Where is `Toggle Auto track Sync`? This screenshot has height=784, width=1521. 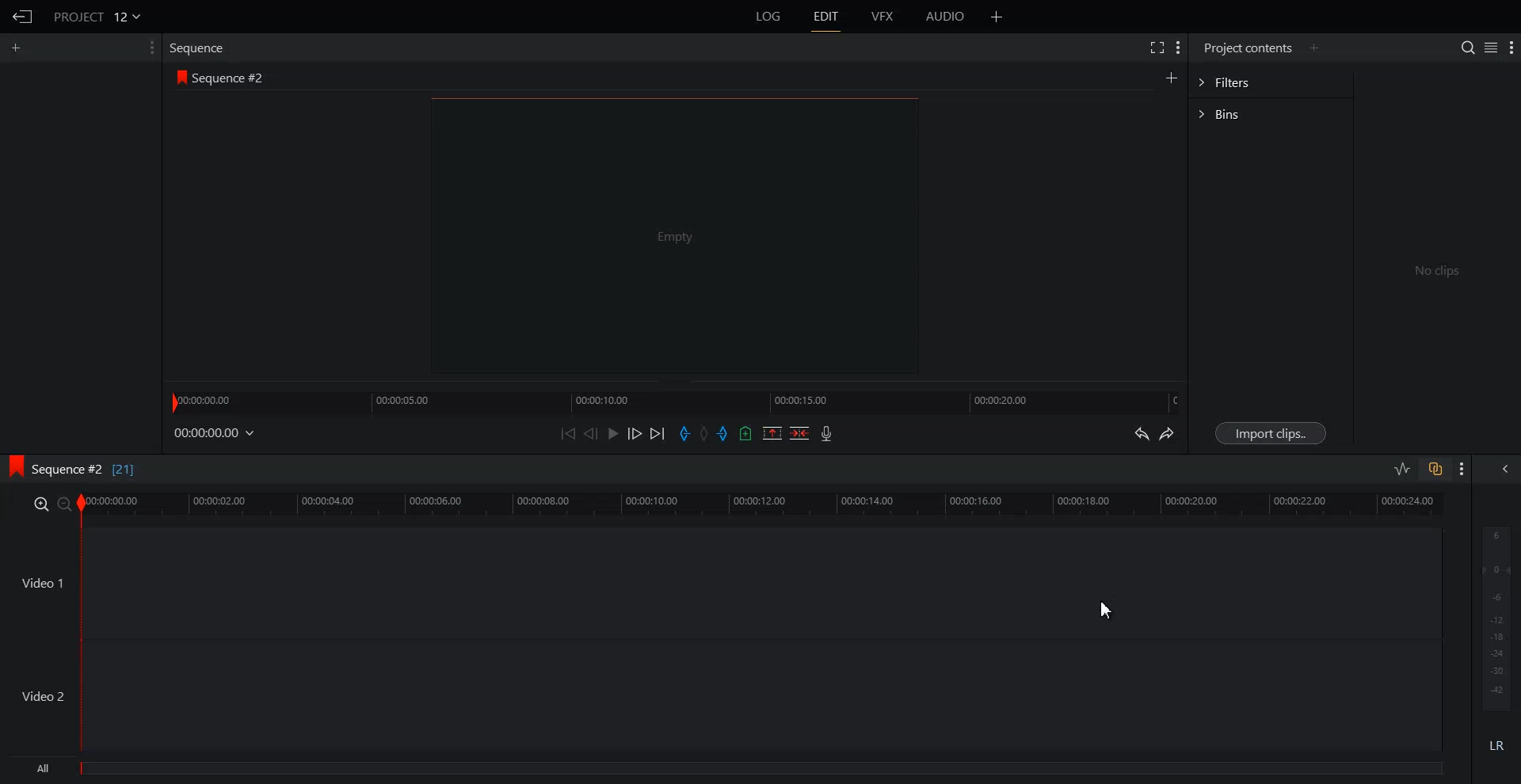
Toggle Auto track Sync is located at coordinates (1434, 469).